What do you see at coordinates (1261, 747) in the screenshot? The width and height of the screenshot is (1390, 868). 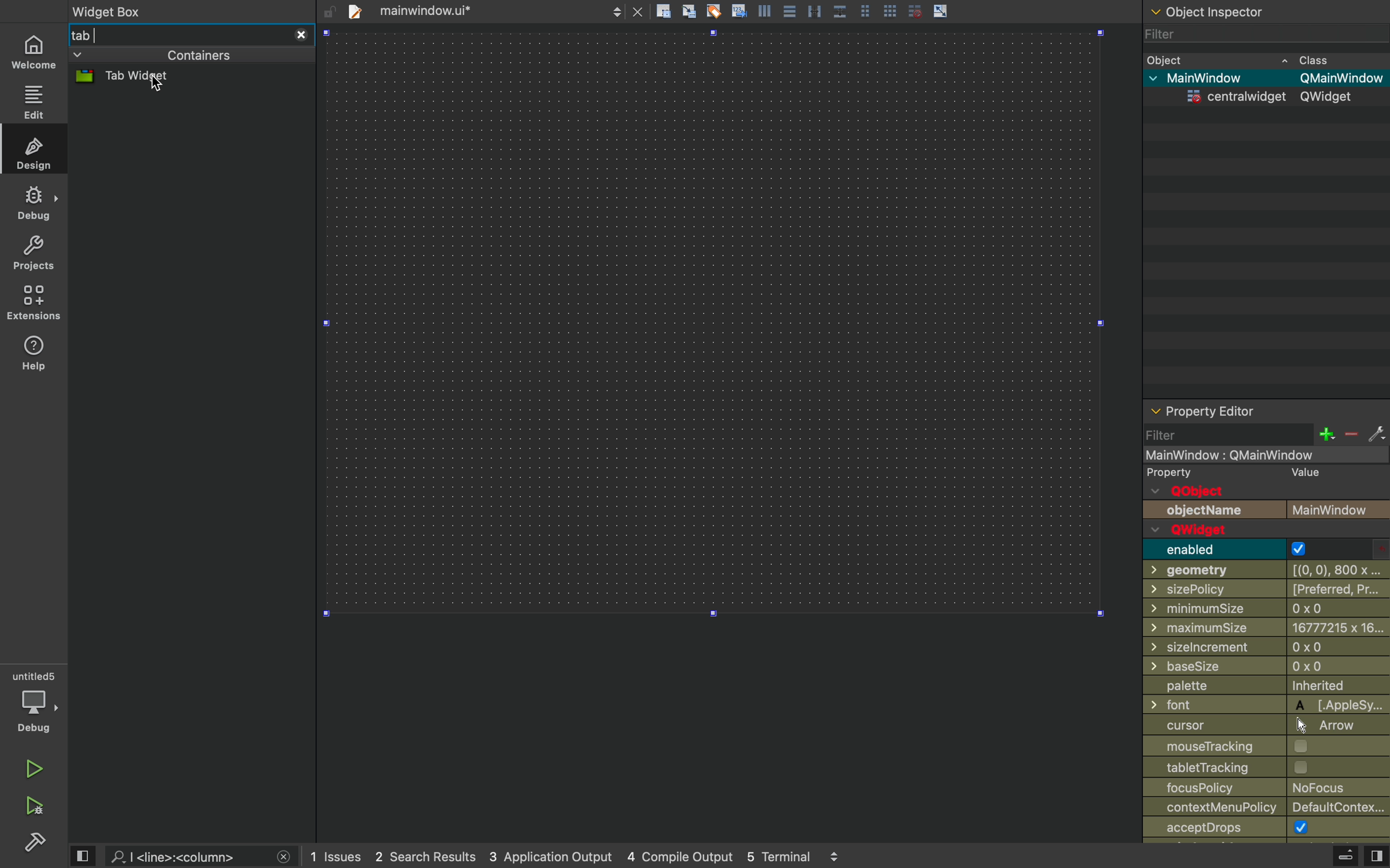 I see `mousetarcking` at bounding box center [1261, 747].